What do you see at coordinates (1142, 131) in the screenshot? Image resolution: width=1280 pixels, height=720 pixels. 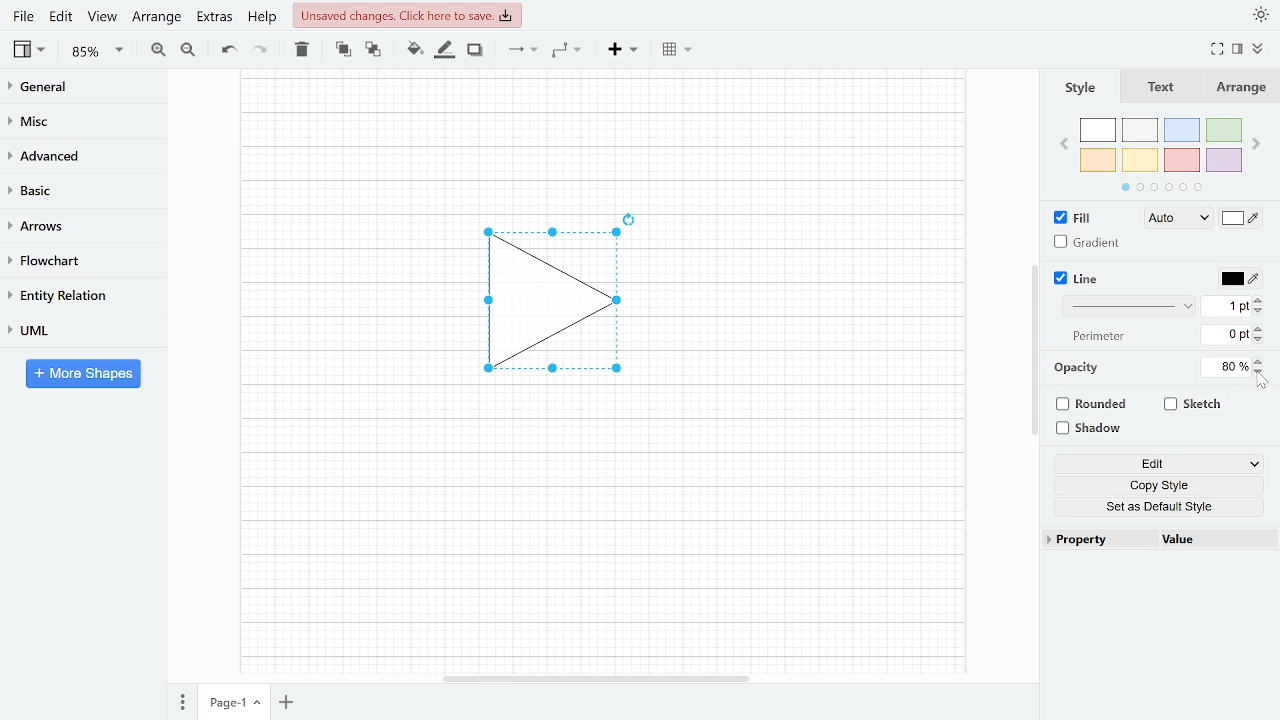 I see `ash` at bounding box center [1142, 131].